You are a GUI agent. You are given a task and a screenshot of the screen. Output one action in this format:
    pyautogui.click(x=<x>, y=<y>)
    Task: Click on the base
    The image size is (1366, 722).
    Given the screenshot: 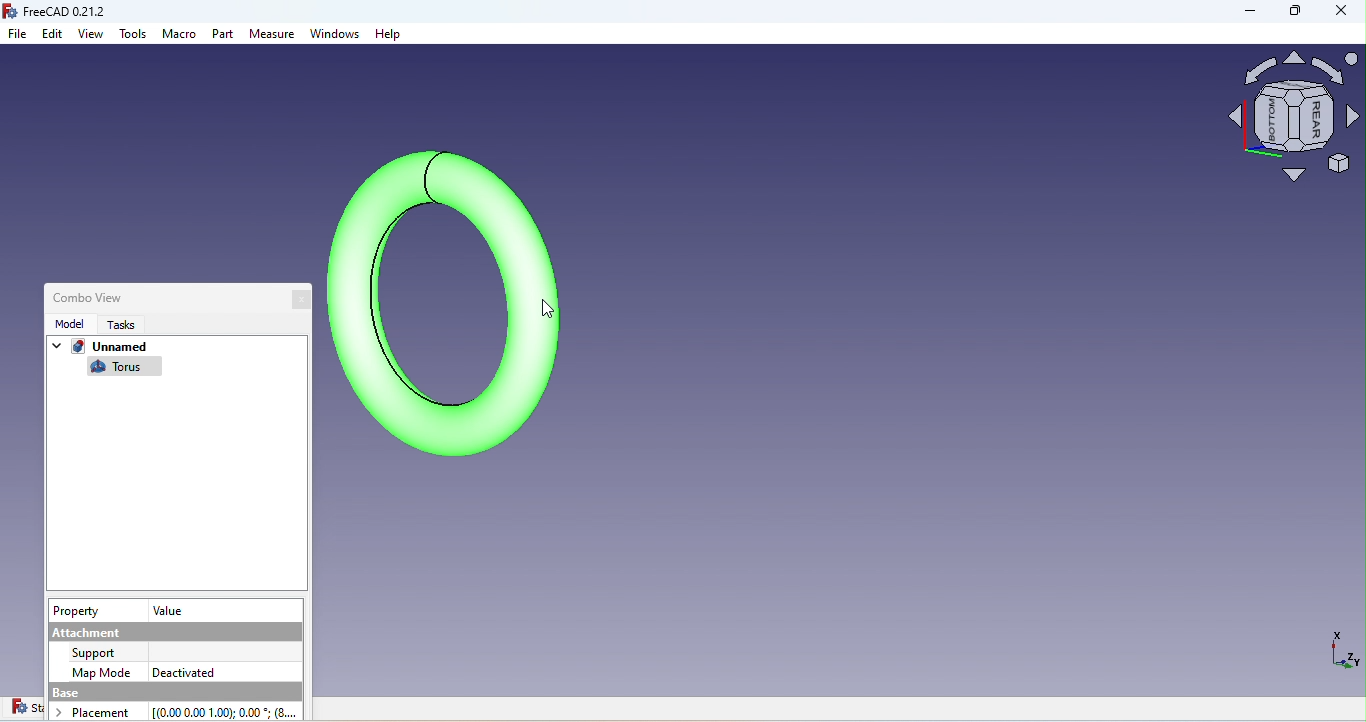 What is the action you would take?
    pyautogui.click(x=171, y=692)
    